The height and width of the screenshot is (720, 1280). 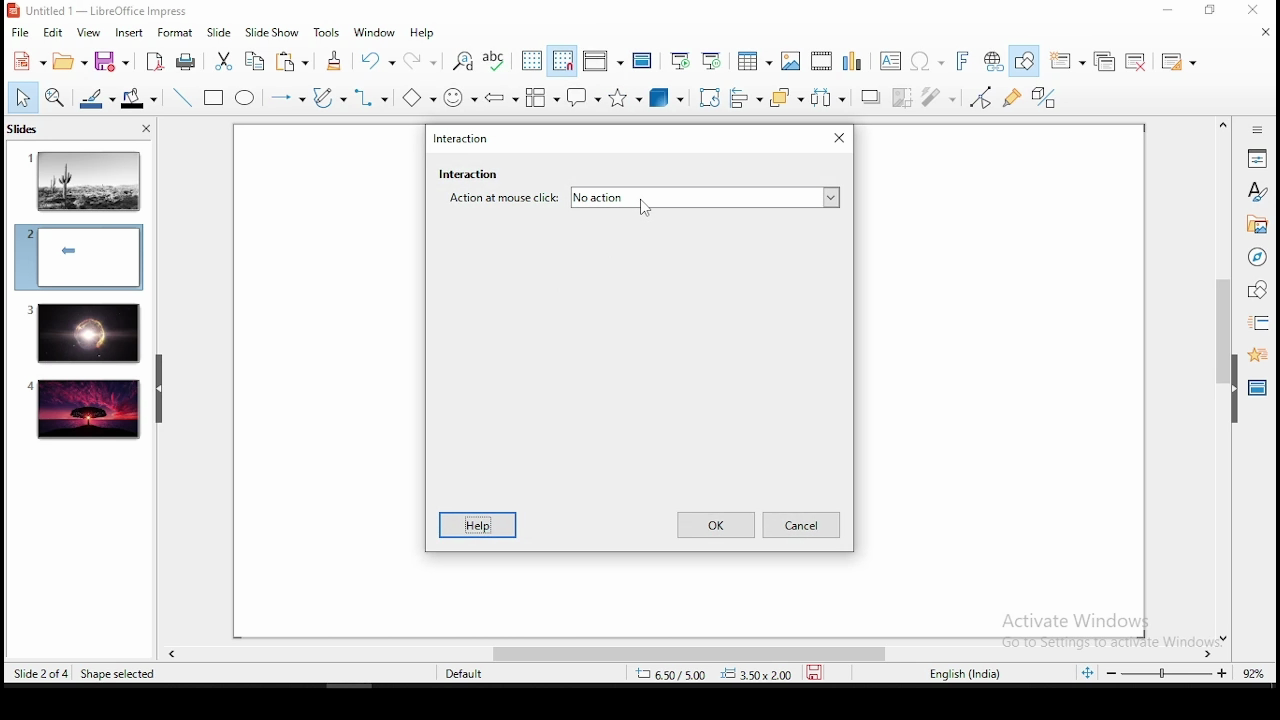 What do you see at coordinates (1046, 97) in the screenshot?
I see `toggle extrusiuon` at bounding box center [1046, 97].